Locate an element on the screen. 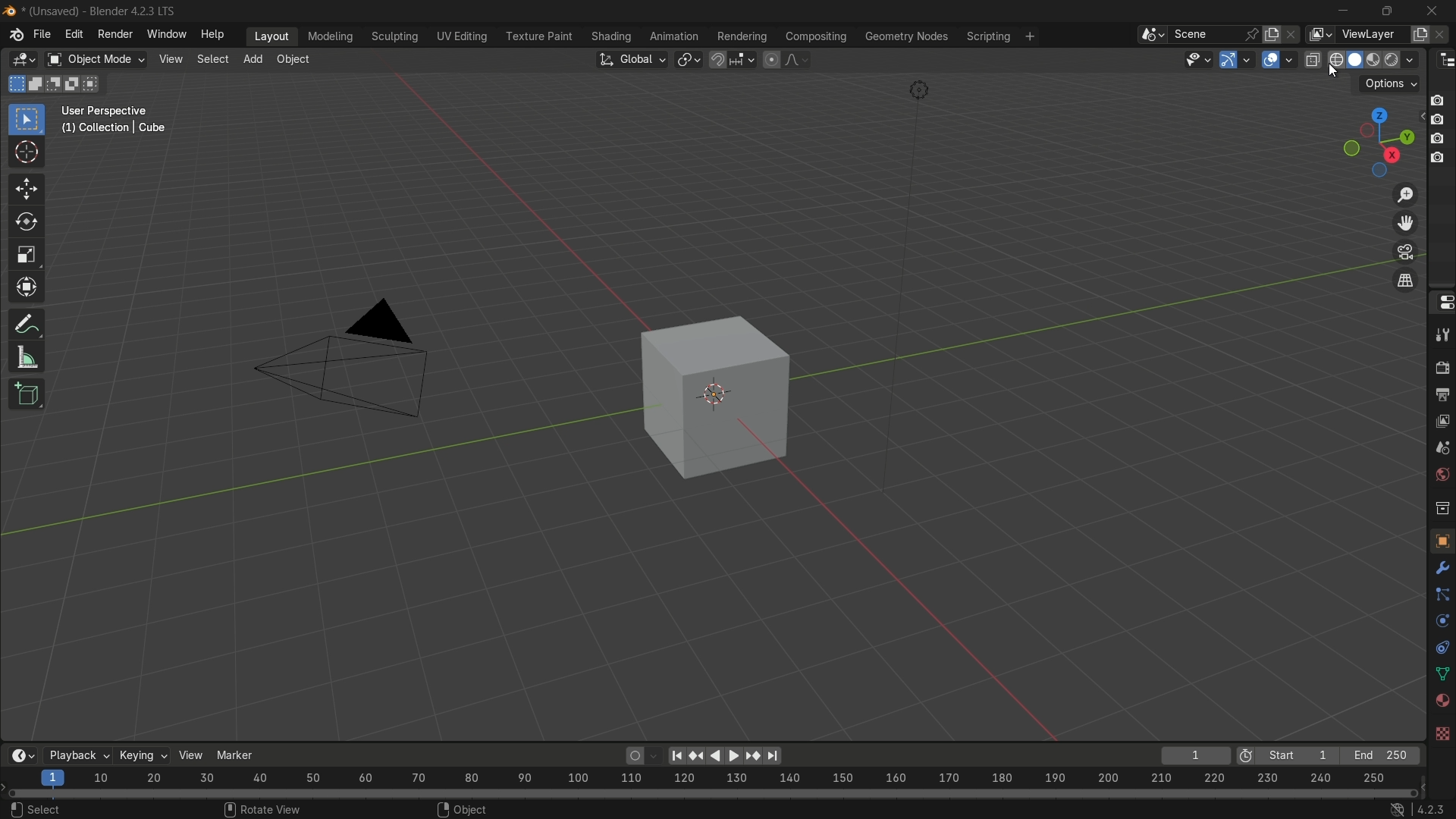 This screenshot has height=819, width=1456. collection is located at coordinates (1441, 505).